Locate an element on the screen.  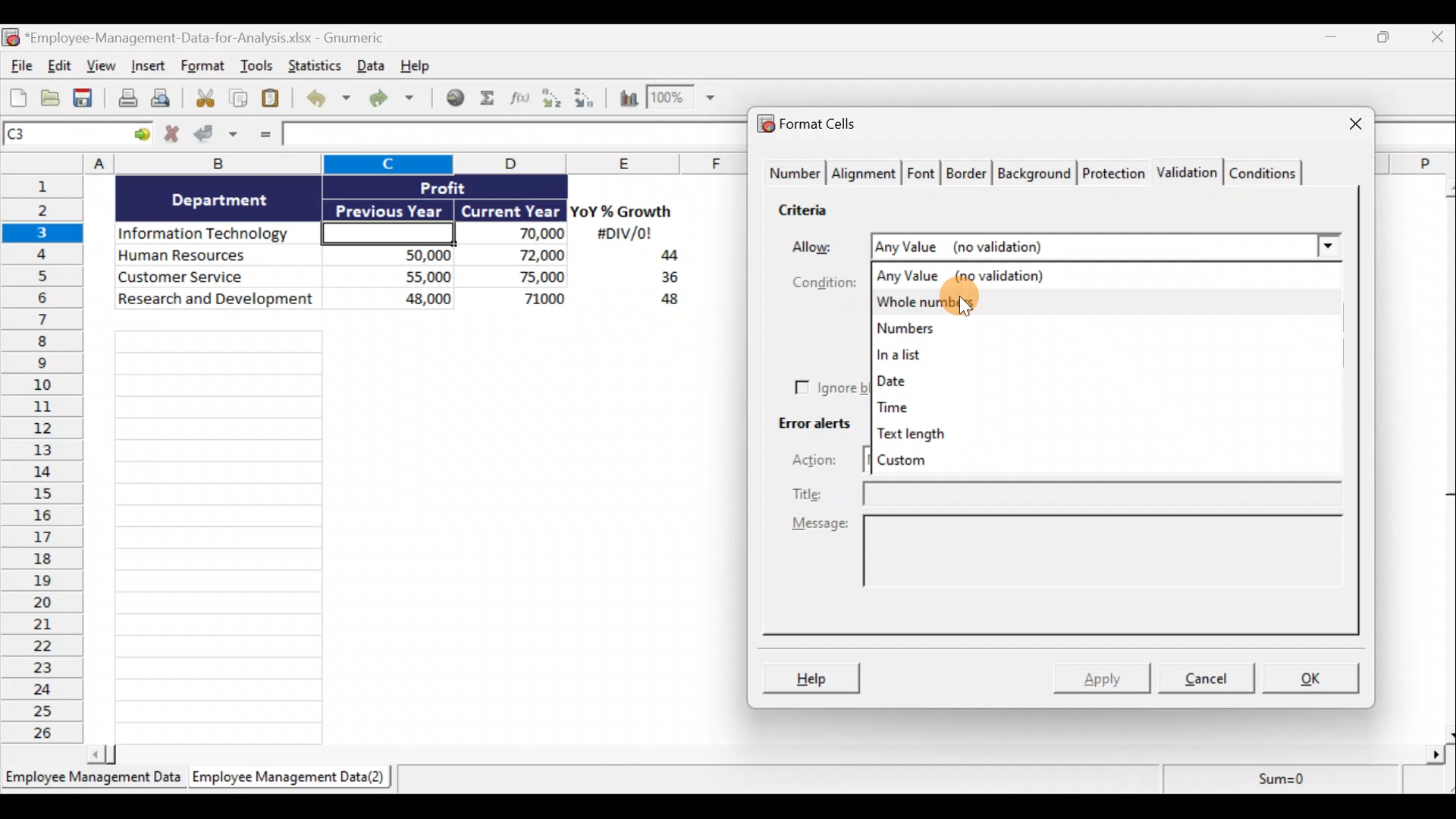
View is located at coordinates (103, 67).